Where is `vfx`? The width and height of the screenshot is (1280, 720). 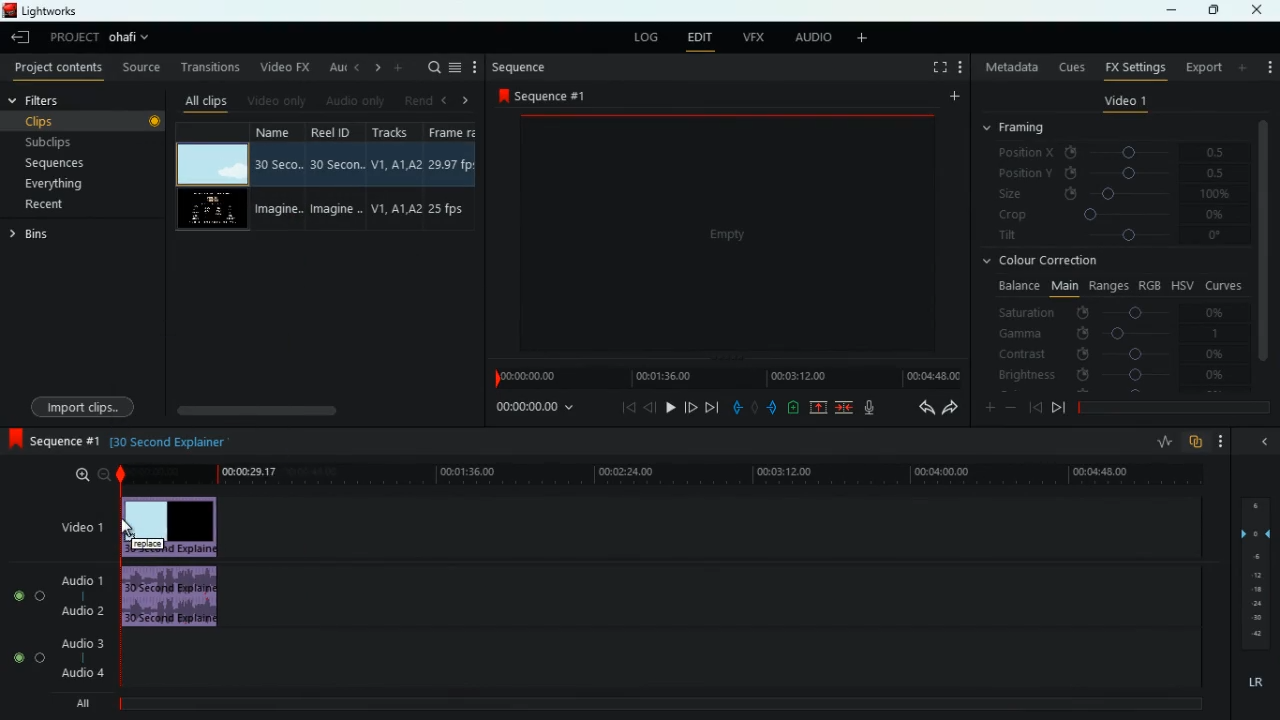
vfx is located at coordinates (750, 38).